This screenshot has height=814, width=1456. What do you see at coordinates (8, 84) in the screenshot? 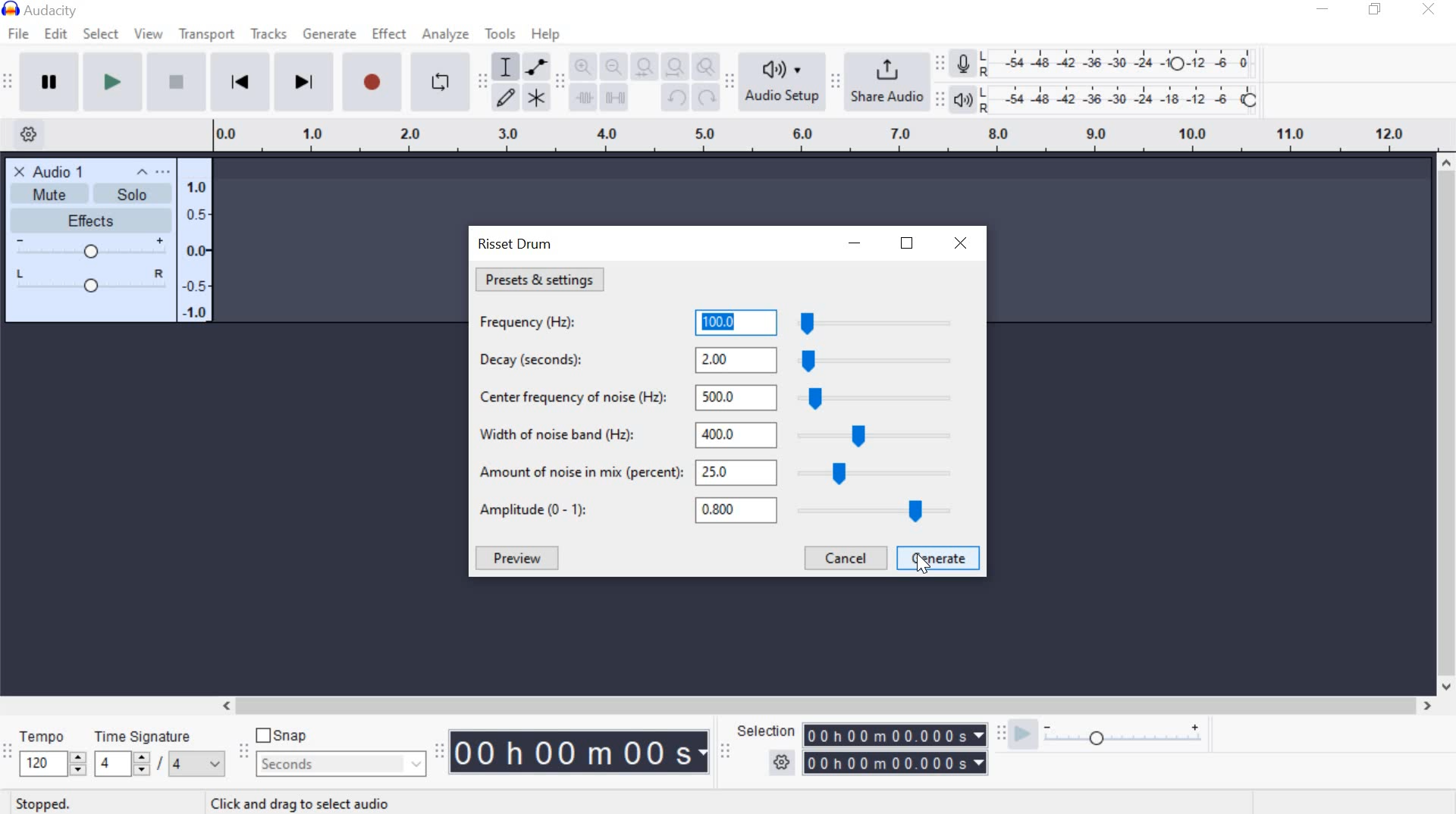
I see `Transport toolbar` at bounding box center [8, 84].